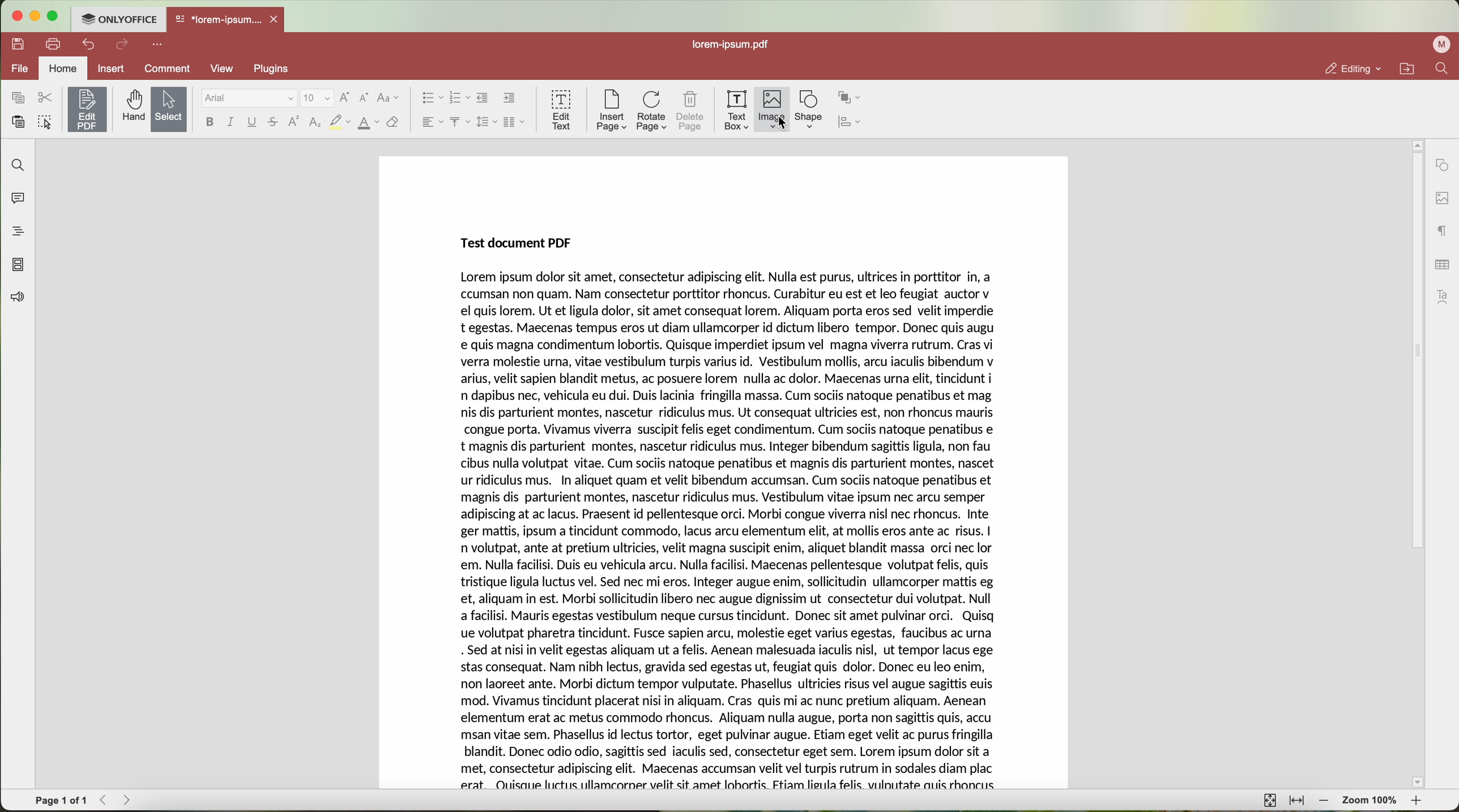  What do you see at coordinates (54, 43) in the screenshot?
I see `print` at bounding box center [54, 43].